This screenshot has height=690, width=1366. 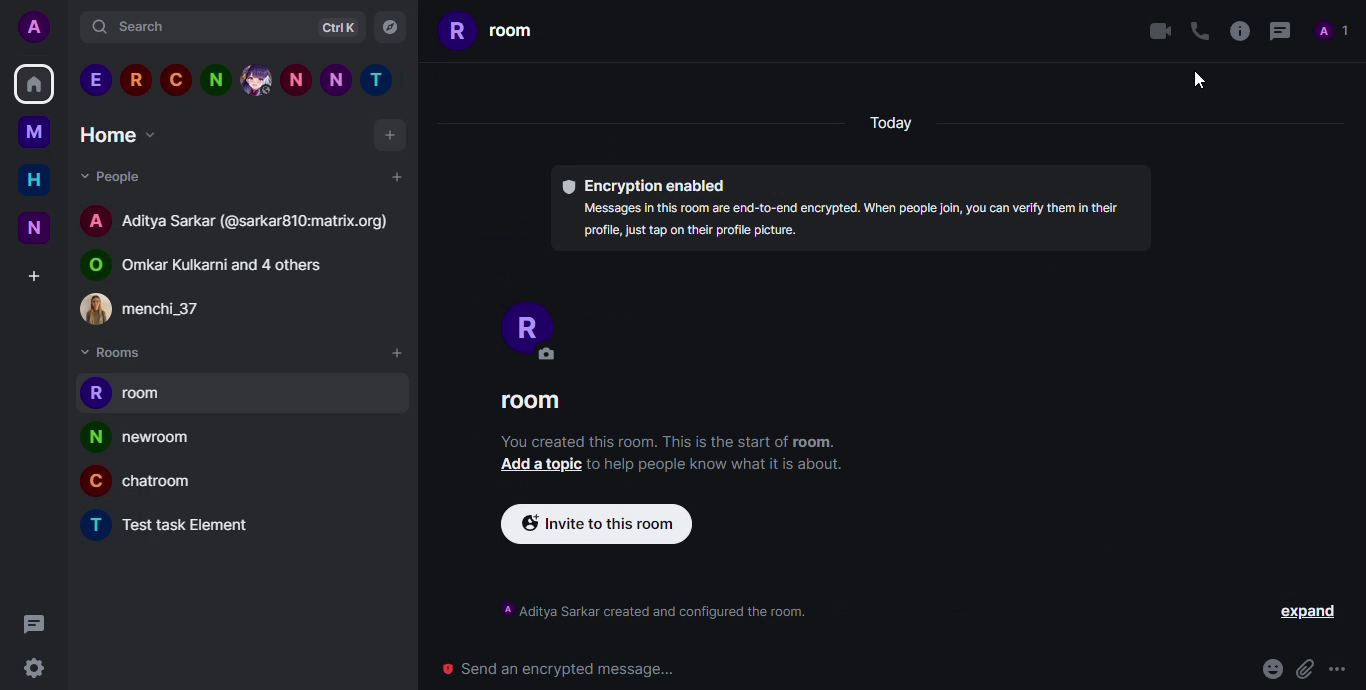 I want to click on myspace, so click(x=34, y=131).